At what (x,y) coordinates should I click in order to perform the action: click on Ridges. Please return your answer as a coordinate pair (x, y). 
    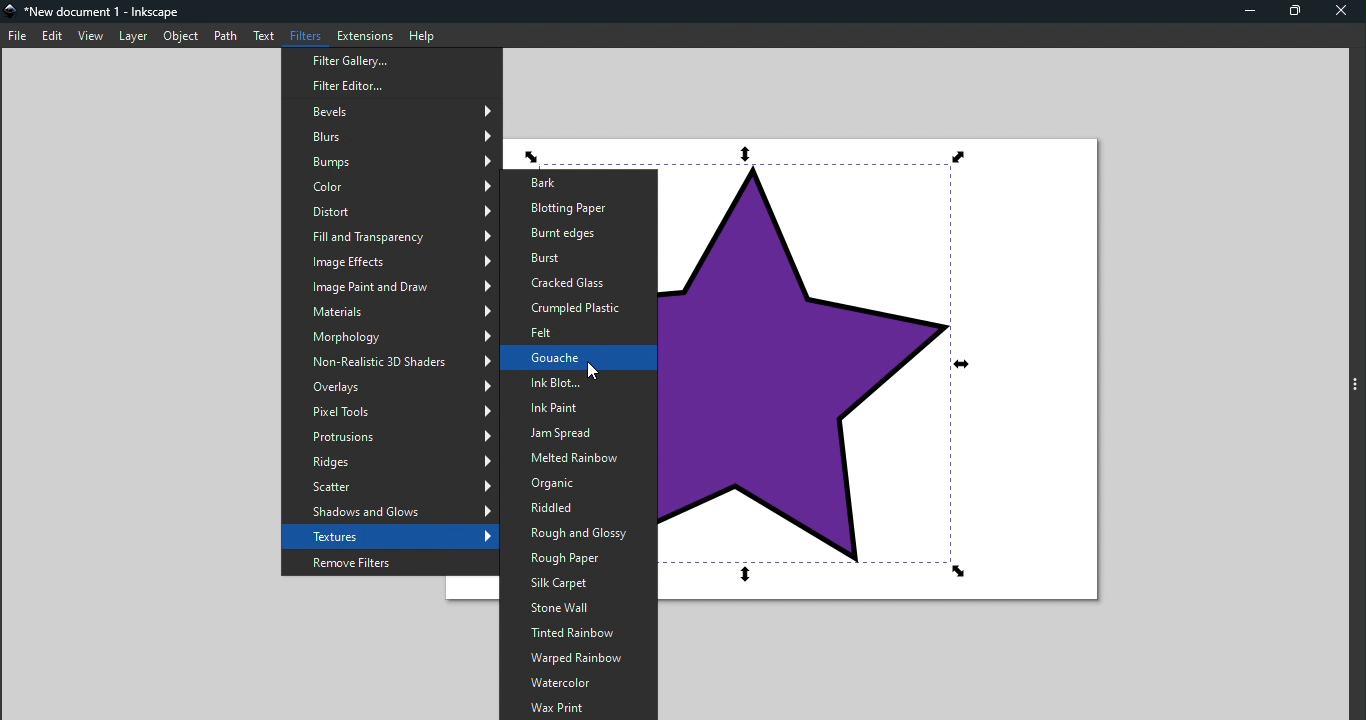
    Looking at the image, I should click on (390, 462).